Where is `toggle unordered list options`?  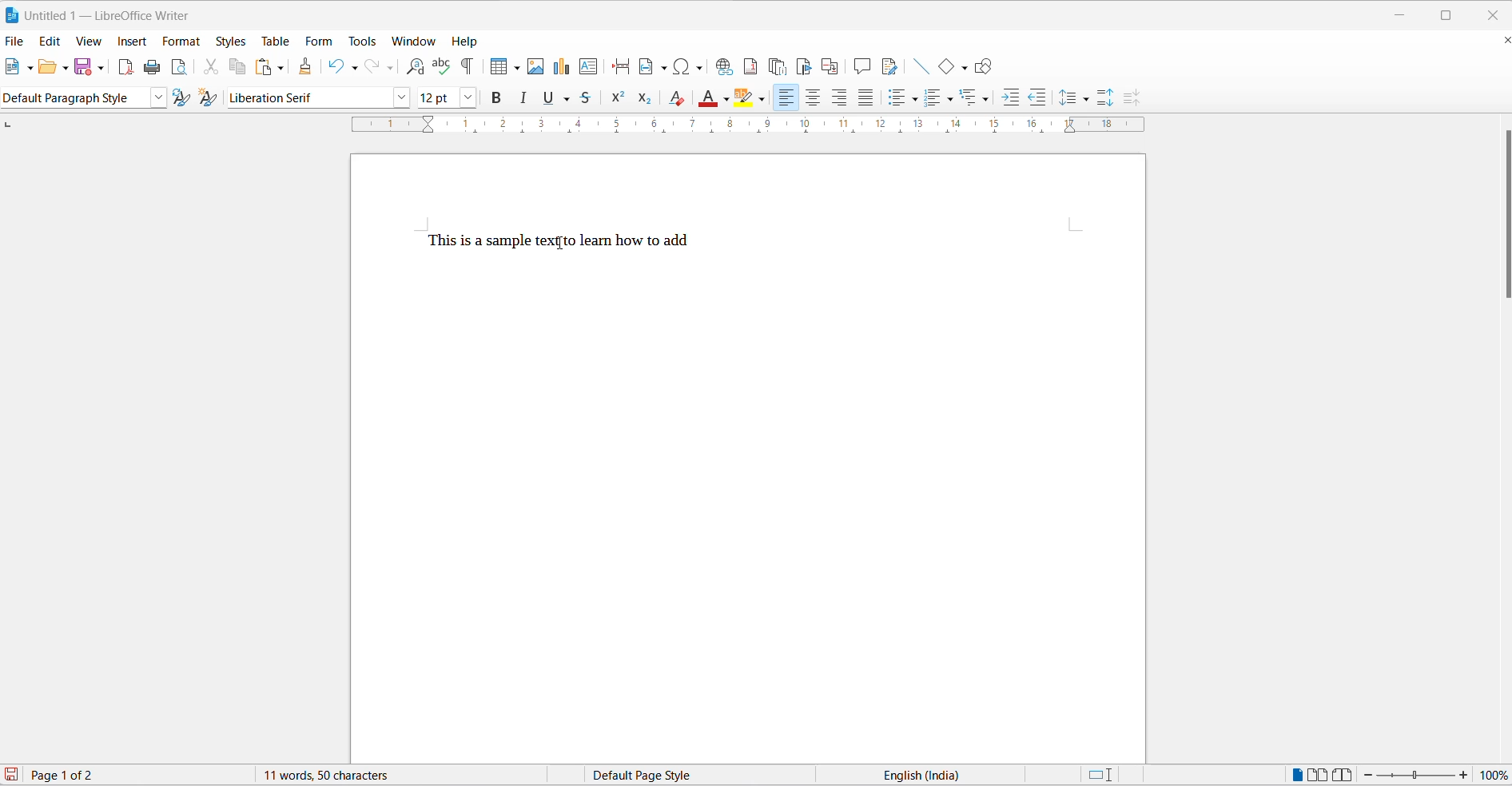
toggle unordered list options is located at coordinates (914, 99).